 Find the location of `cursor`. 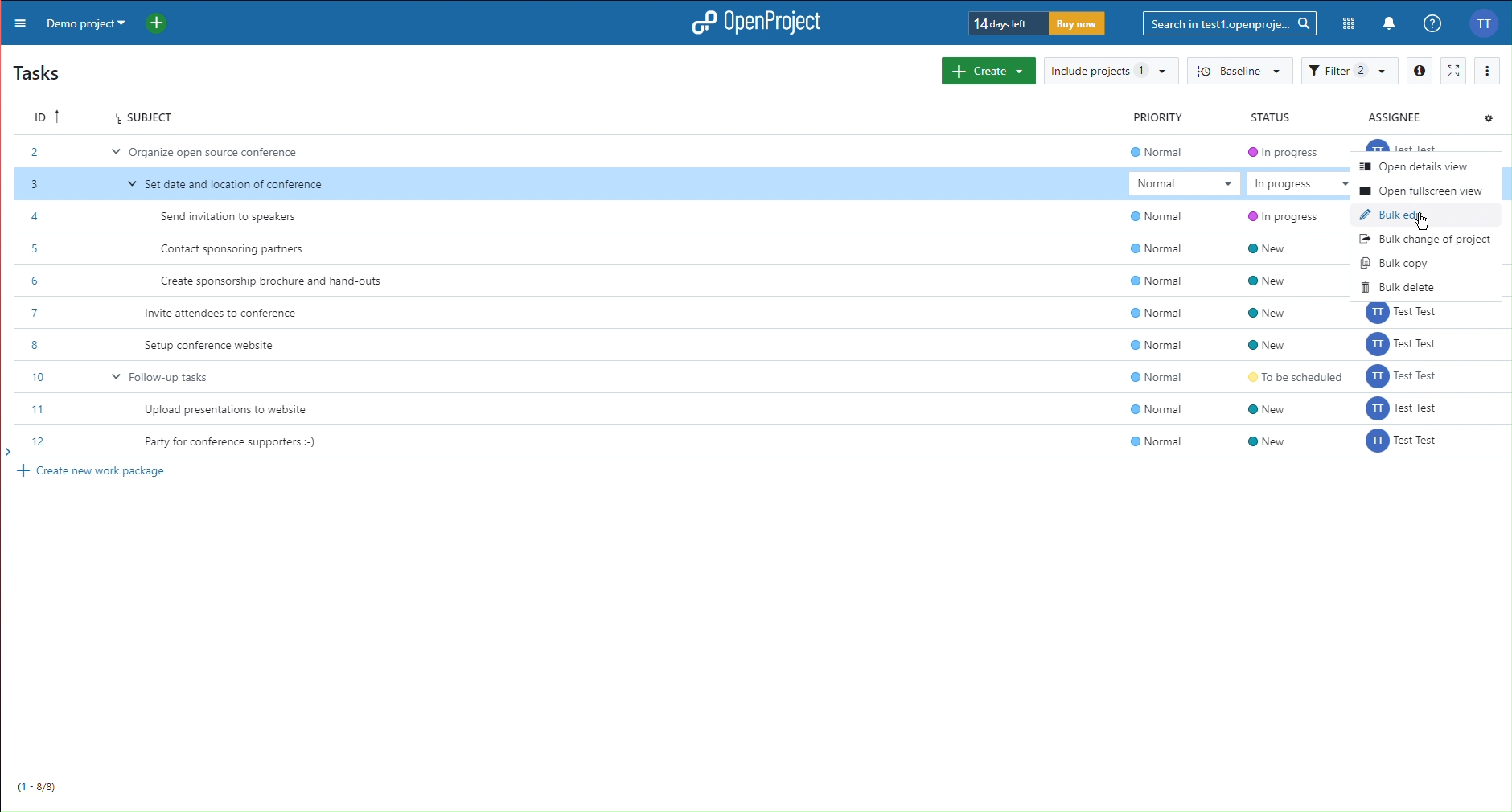

cursor is located at coordinates (1424, 227).